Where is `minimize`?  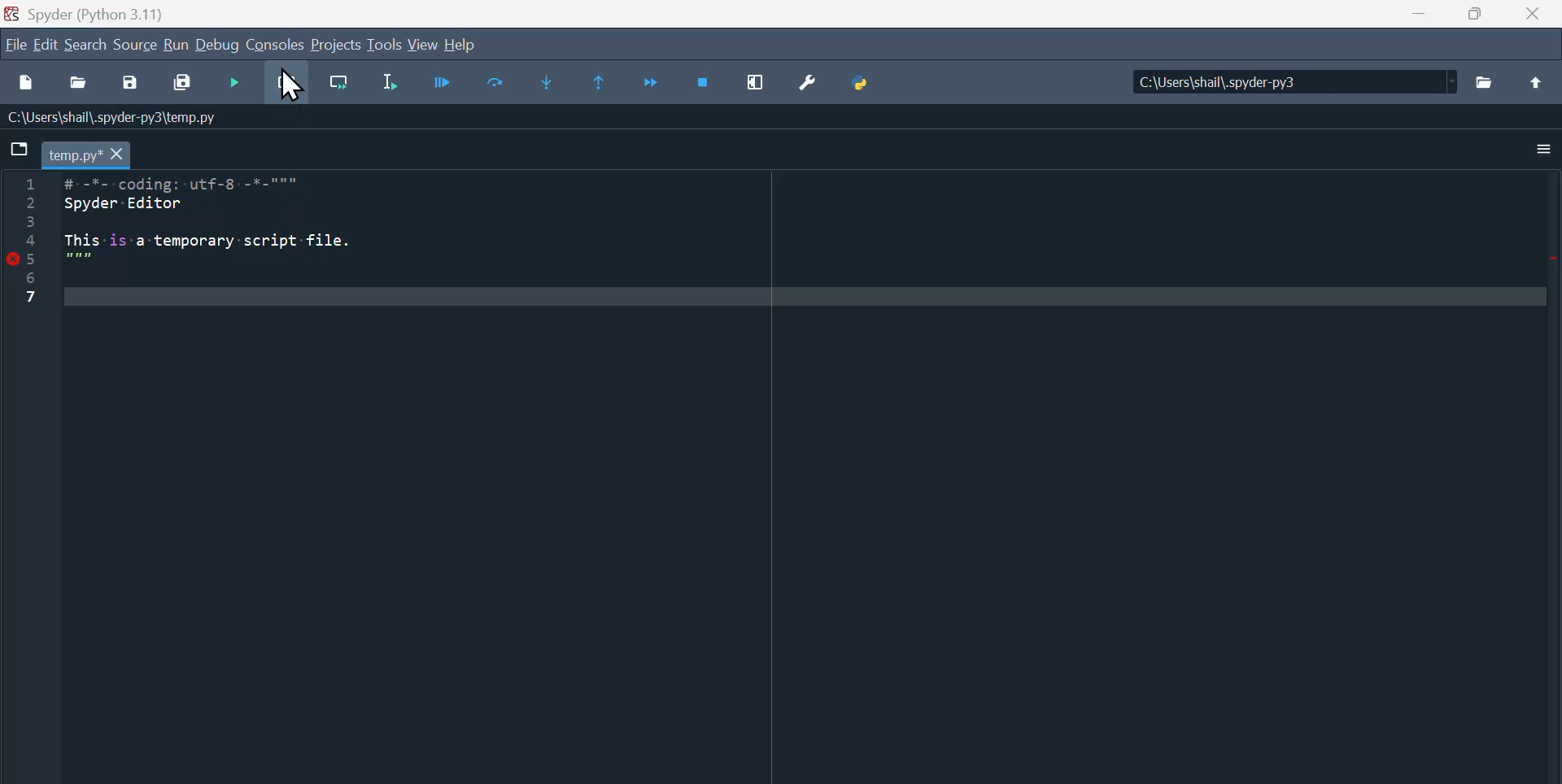 minimize is located at coordinates (1416, 14).